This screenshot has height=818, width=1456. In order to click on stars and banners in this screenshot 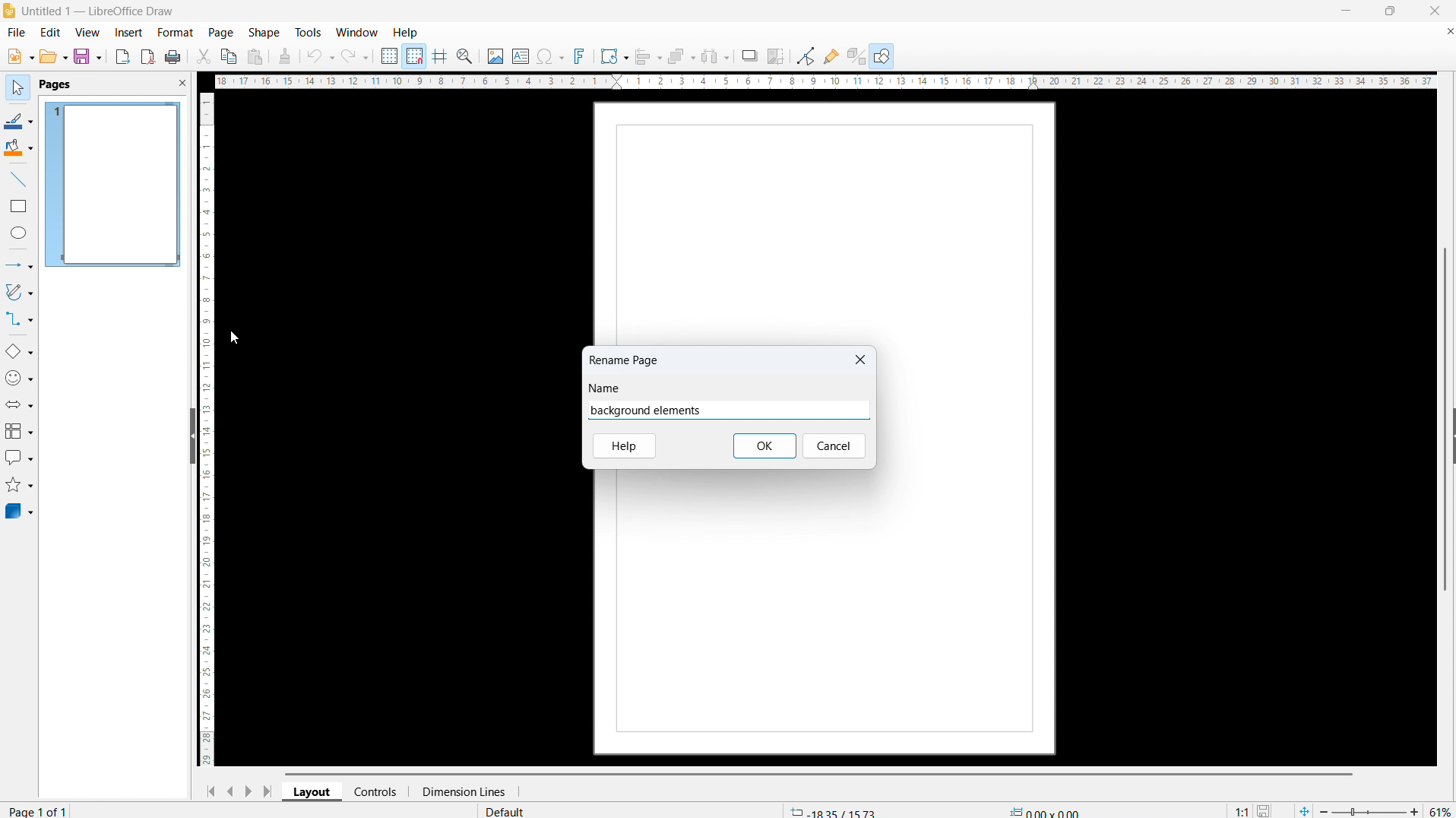, I will do `click(20, 487)`.